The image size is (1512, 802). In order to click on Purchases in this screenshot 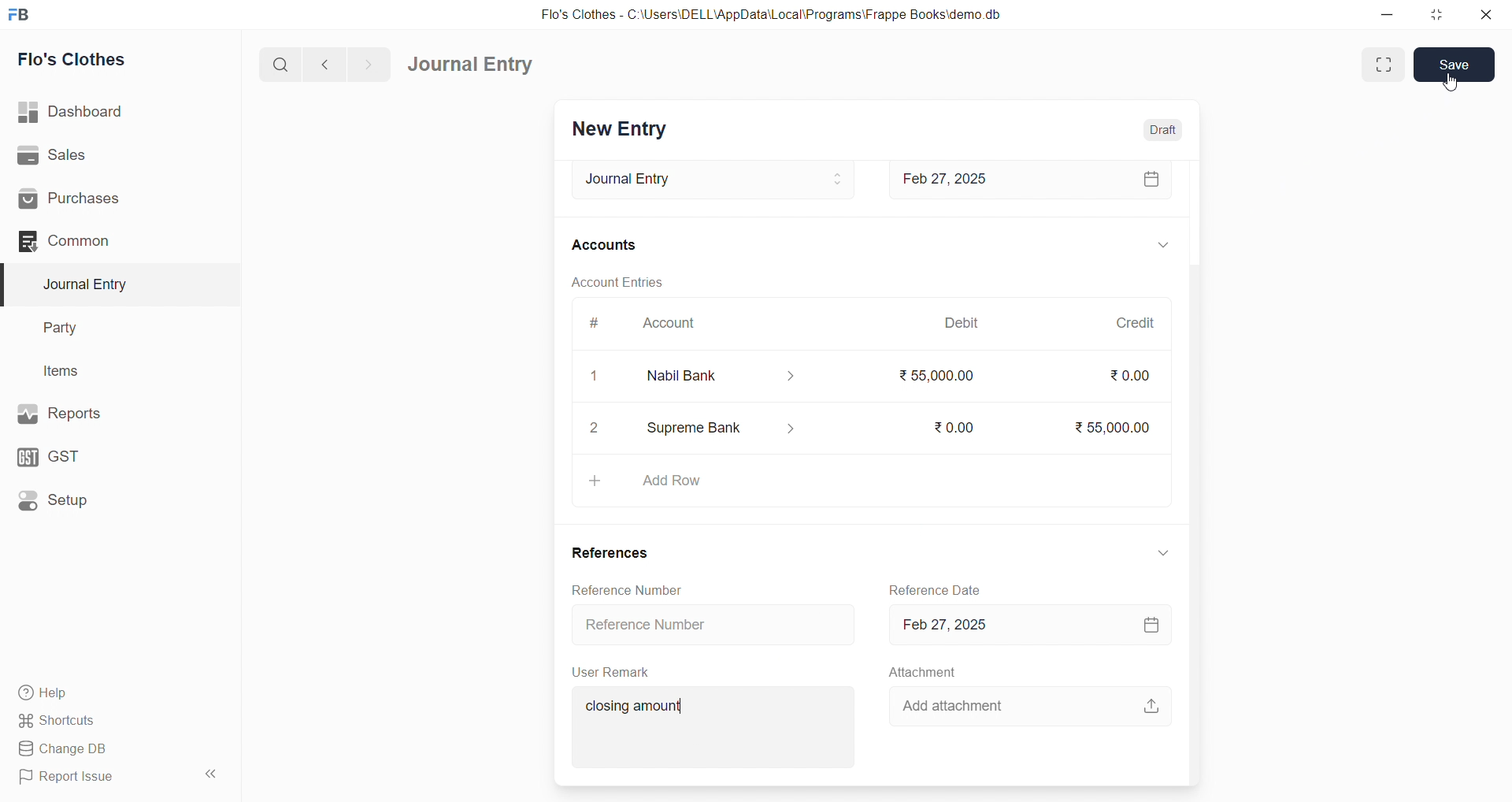, I will do `click(95, 200)`.